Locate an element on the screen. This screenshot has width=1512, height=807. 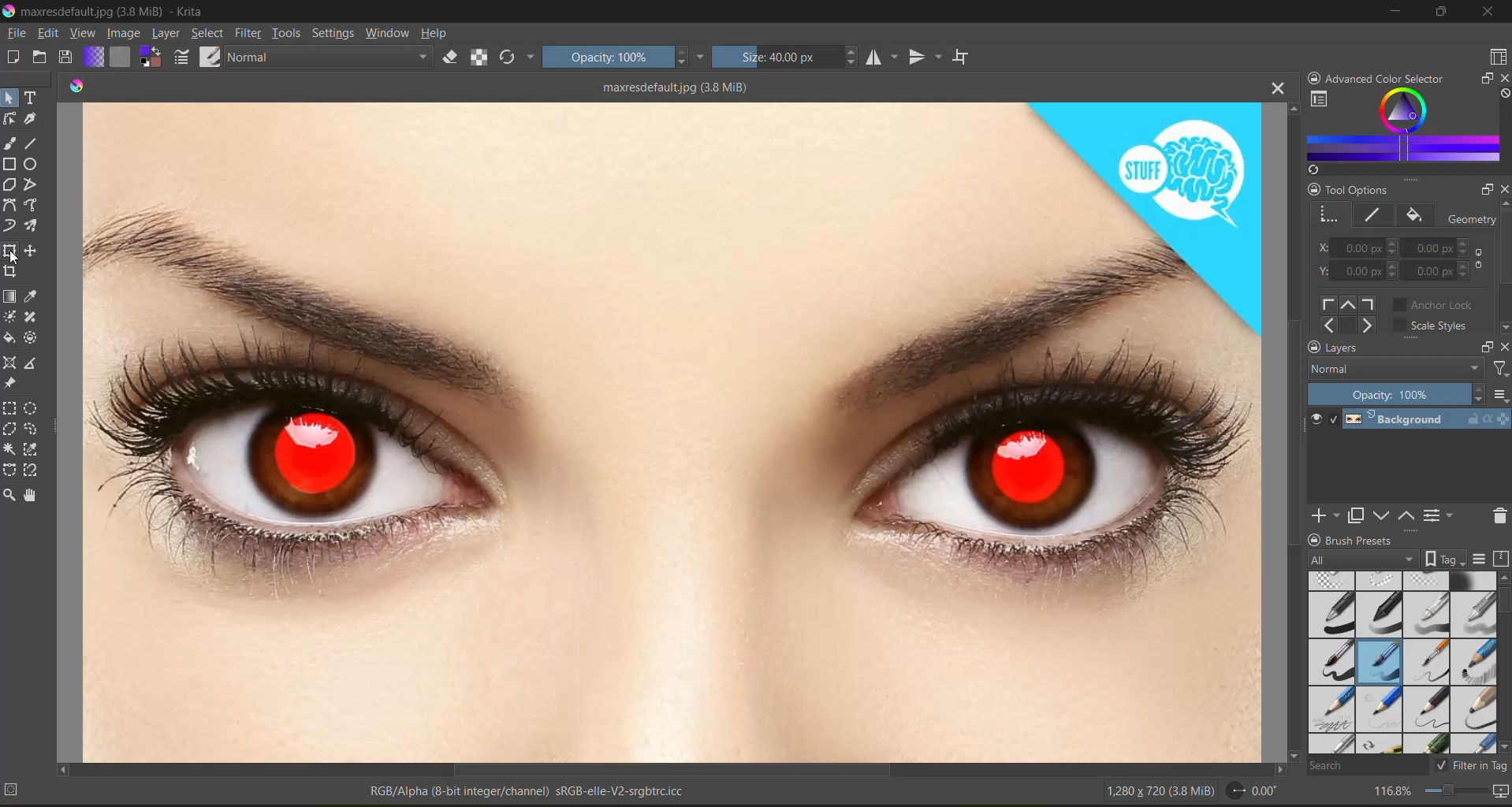
filter is located at coordinates (1498, 367).